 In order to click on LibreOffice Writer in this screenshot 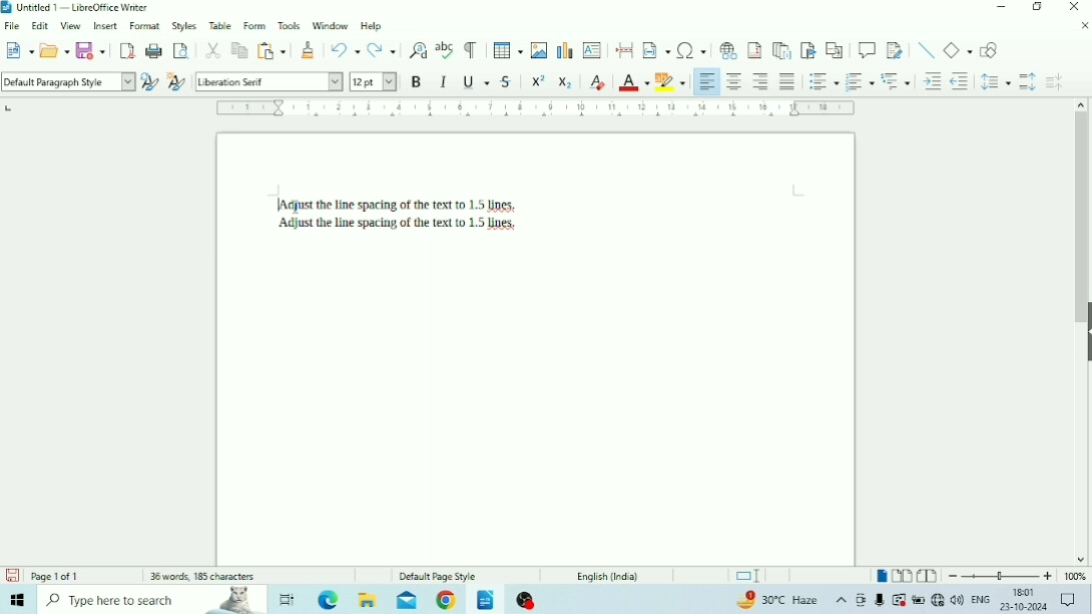, I will do `click(484, 600)`.